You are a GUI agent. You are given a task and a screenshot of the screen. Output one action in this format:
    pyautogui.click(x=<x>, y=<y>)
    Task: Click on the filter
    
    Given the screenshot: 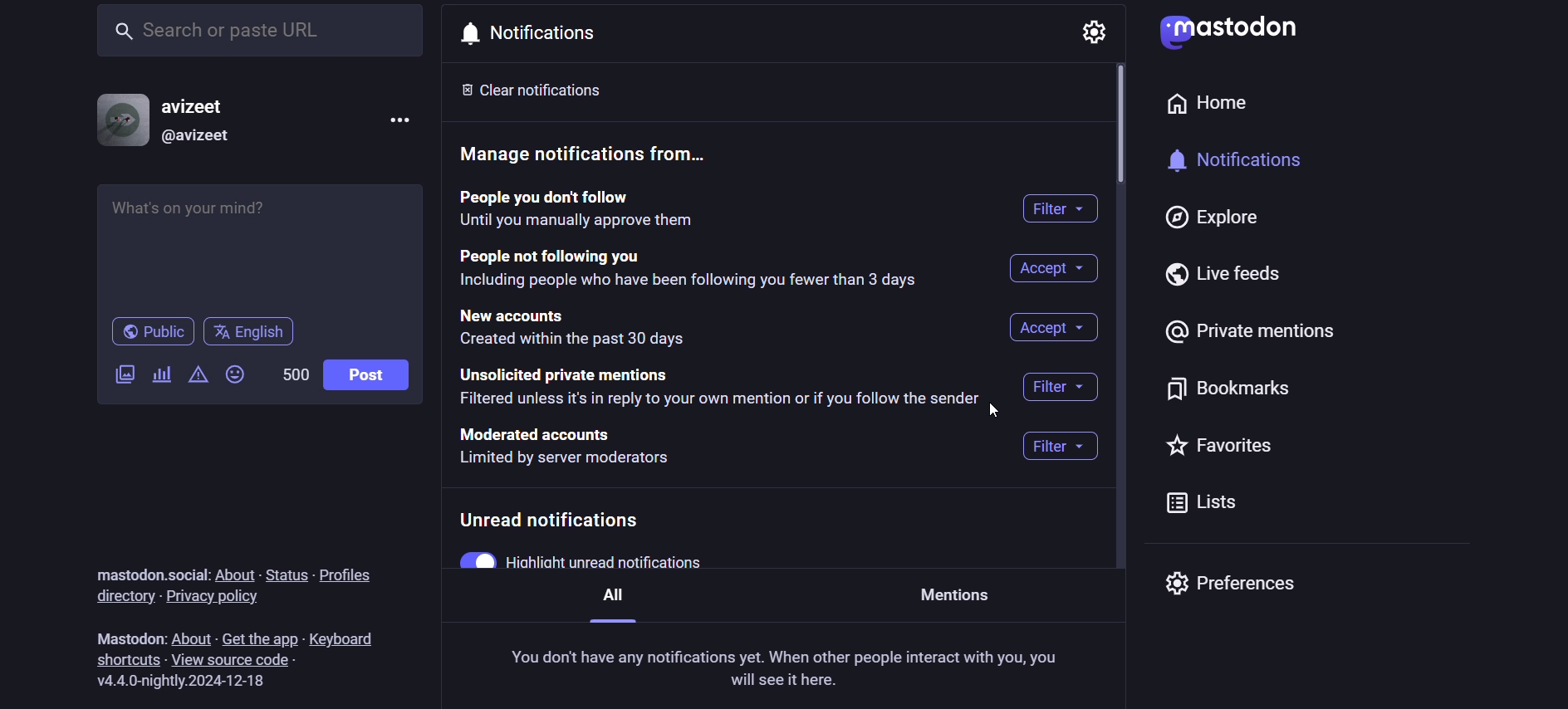 What is the action you would take?
    pyautogui.click(x=1058, y=446)
    